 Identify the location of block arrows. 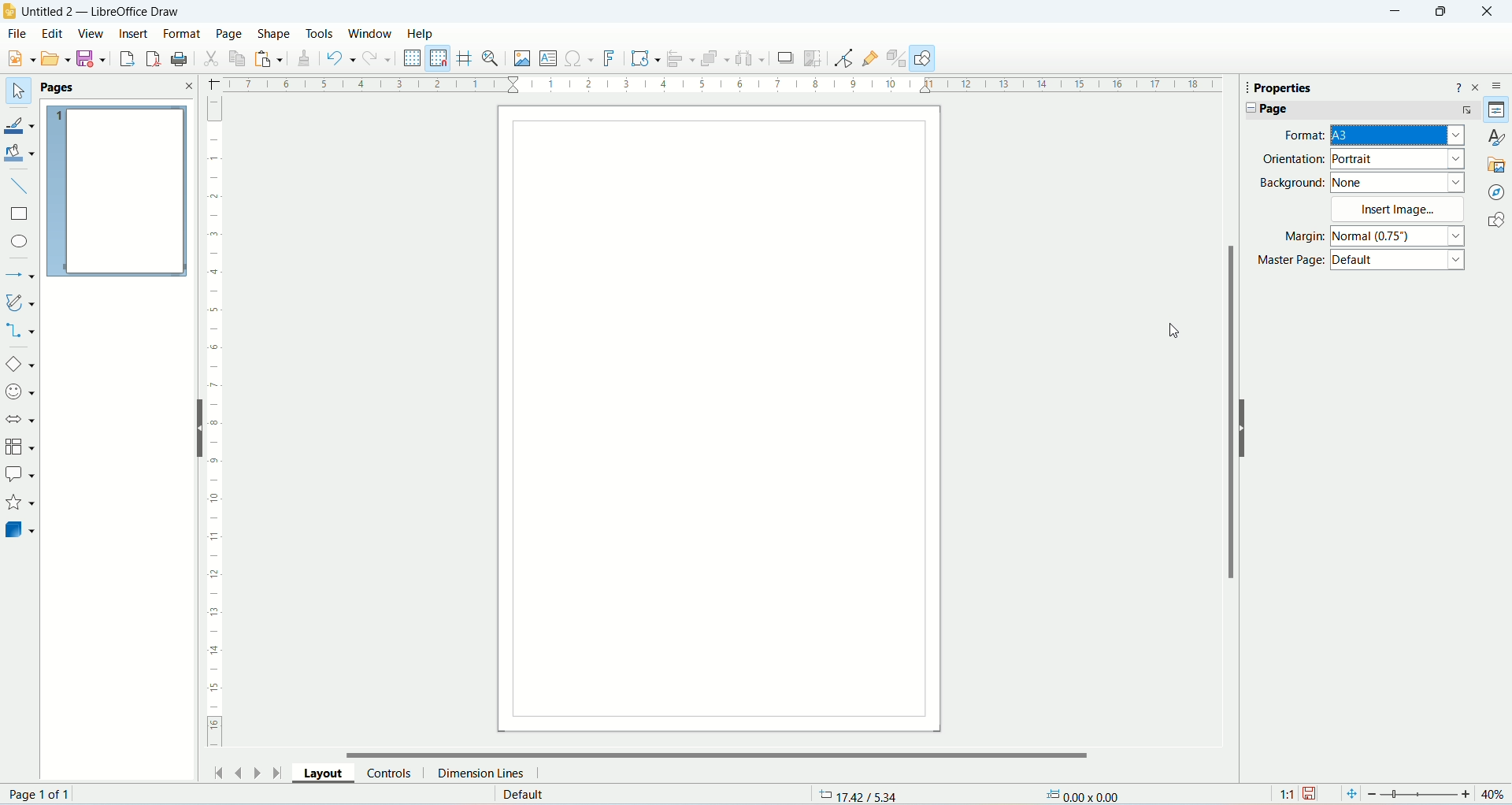
(20, 422).